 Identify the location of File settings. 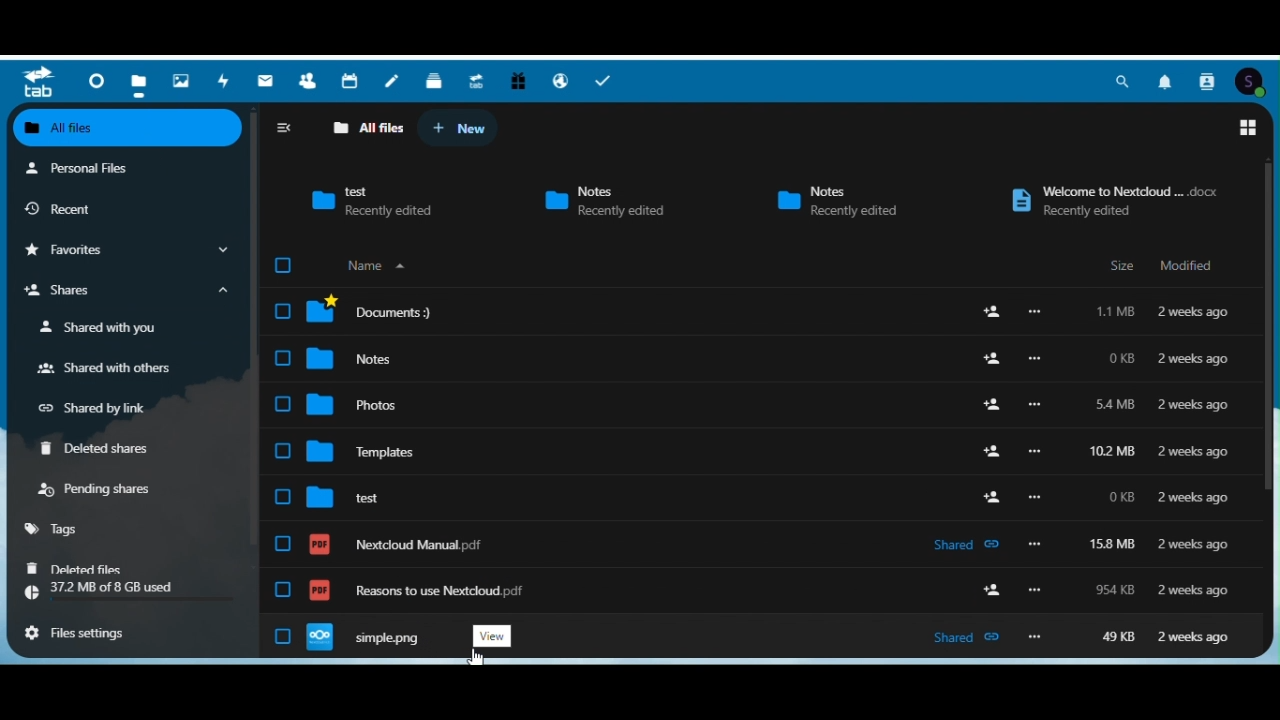
(85, 634).